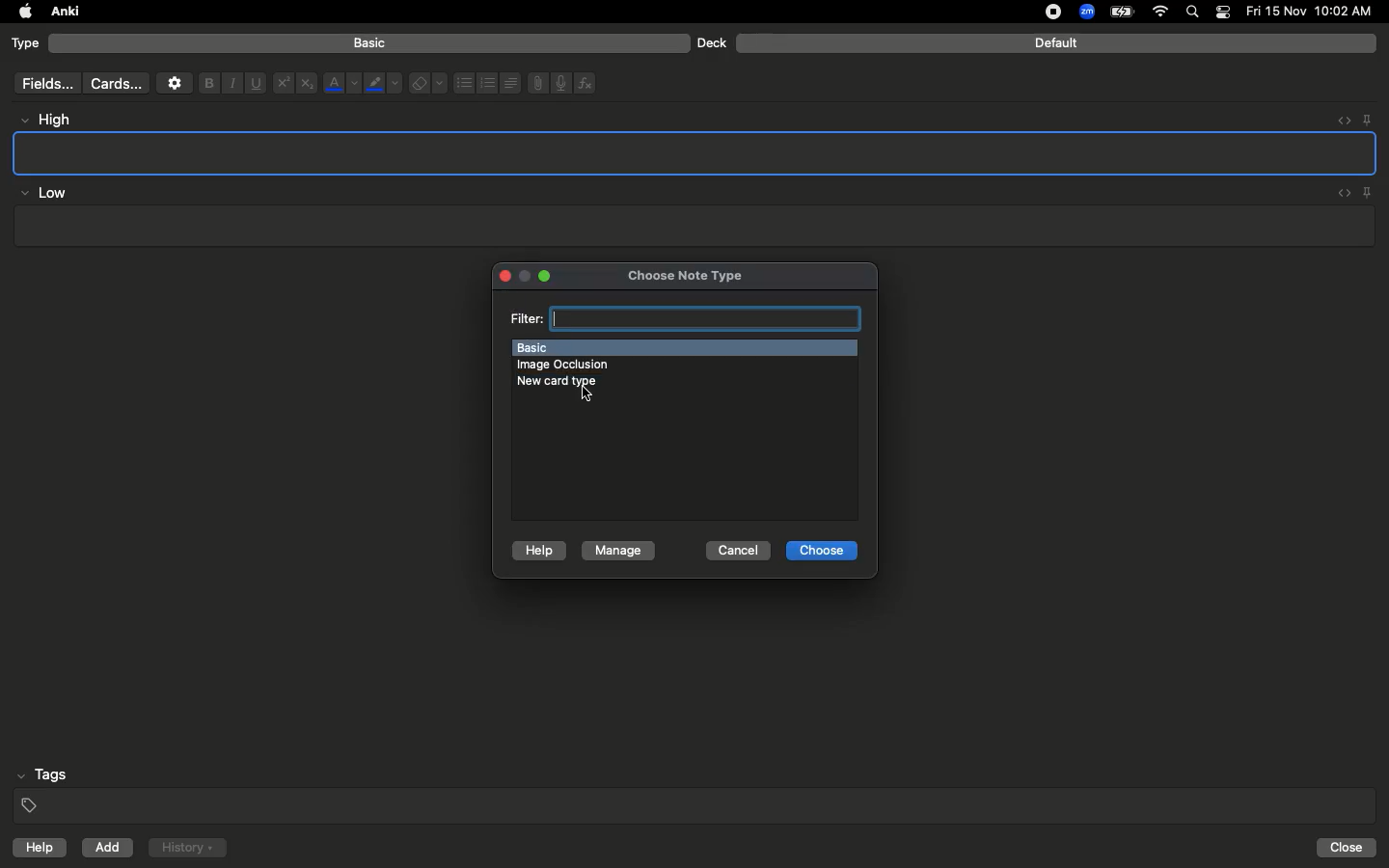  I want to click on Subscript, so click(307, 84).